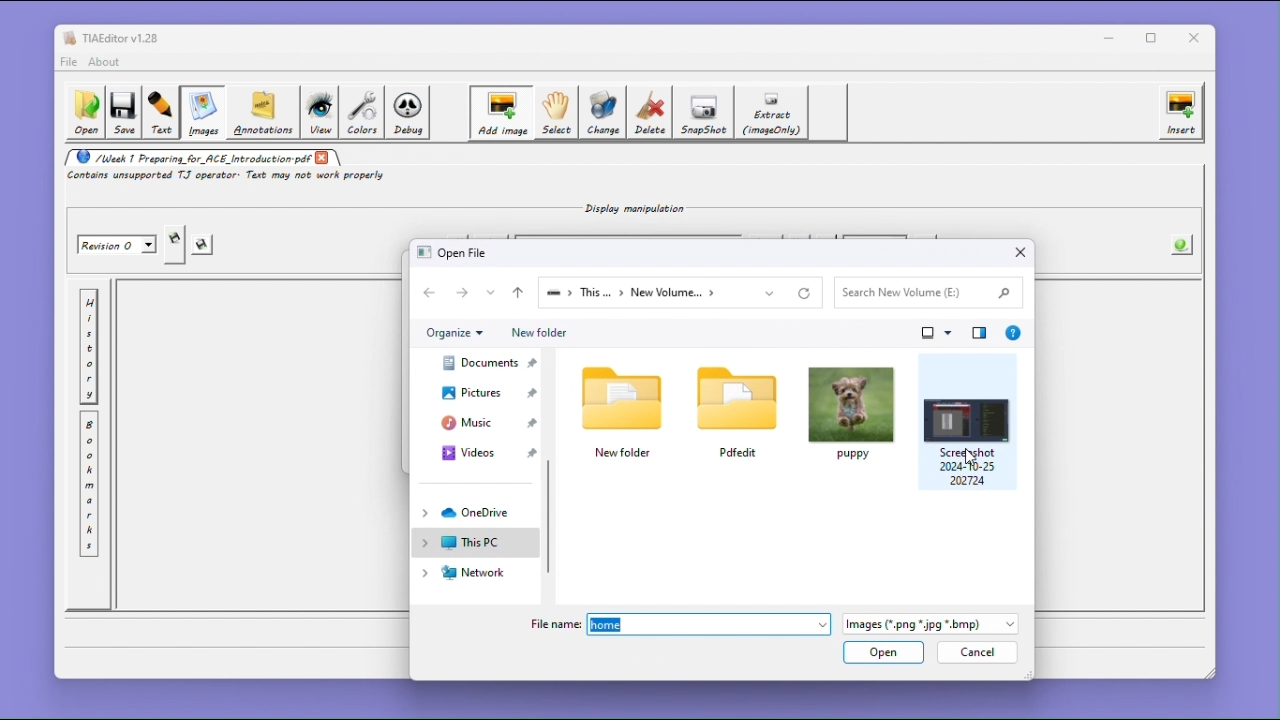 Image resolution: width=1280 pixels, height=720 pixels. Describe the element at coordinates (472, 574) in the screenshot. I see `Network` at that location.